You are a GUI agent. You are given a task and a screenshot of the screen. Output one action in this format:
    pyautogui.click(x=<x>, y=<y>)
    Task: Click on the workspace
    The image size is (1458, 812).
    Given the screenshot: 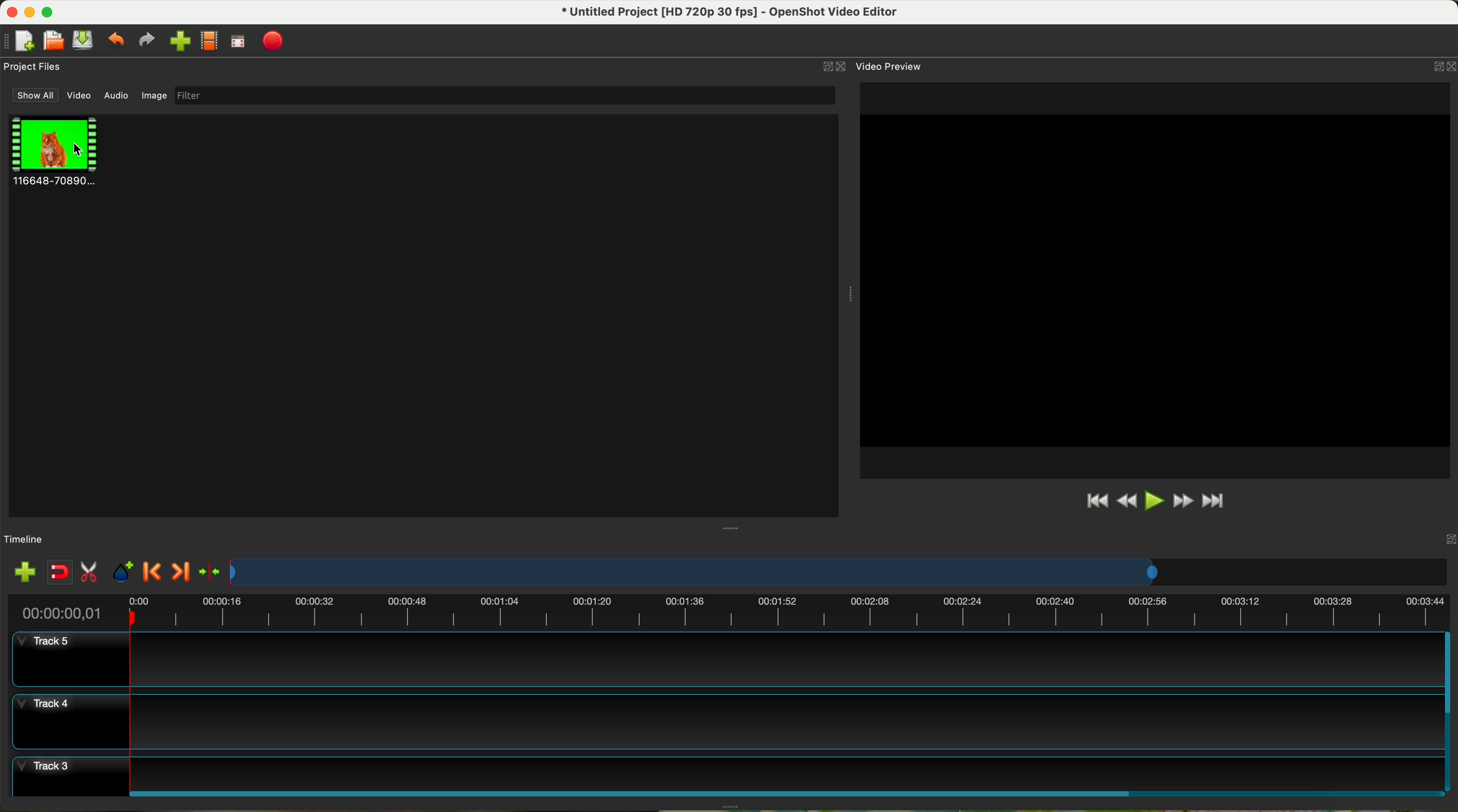 What is the action you would take?
    pyautogui.click(x=1155, y=280)
    